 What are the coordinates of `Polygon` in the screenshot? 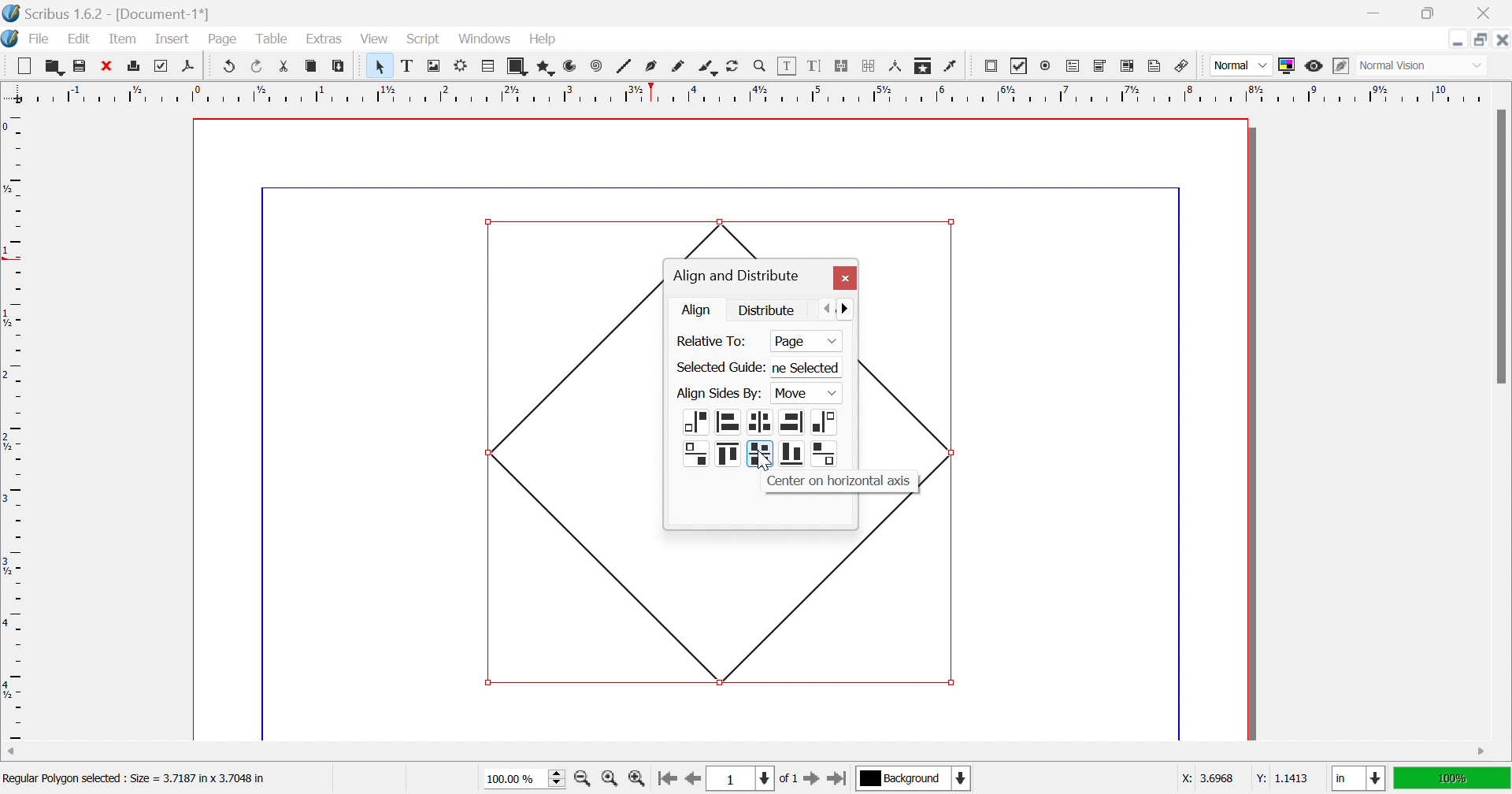 It's located at (547, 68).